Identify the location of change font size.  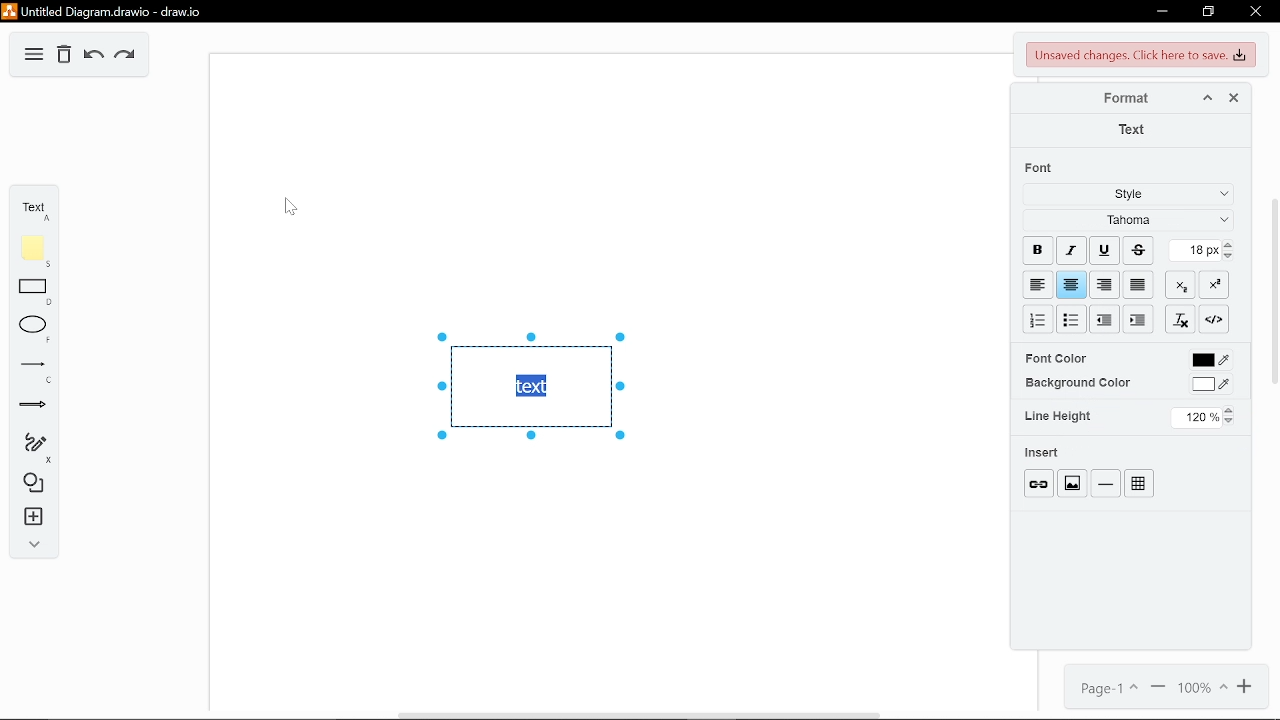
(1203, 251).